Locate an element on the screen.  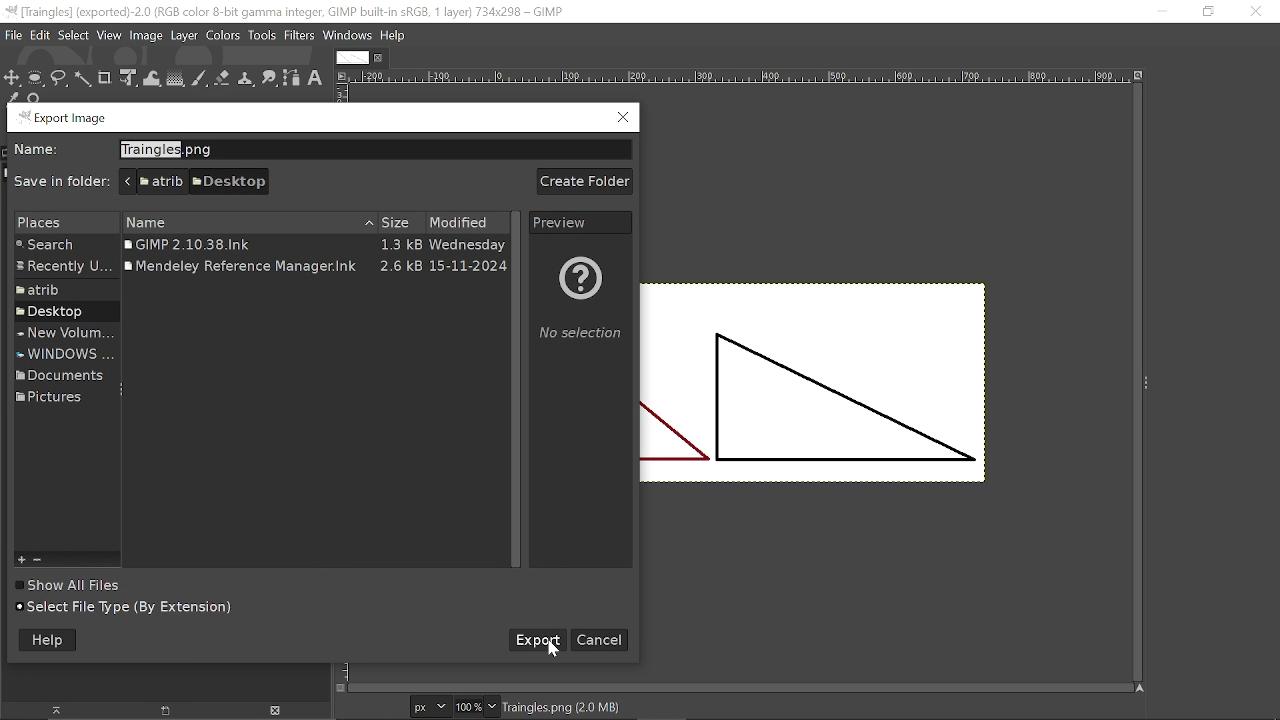
Show all files is located at coordinates (72, 586).